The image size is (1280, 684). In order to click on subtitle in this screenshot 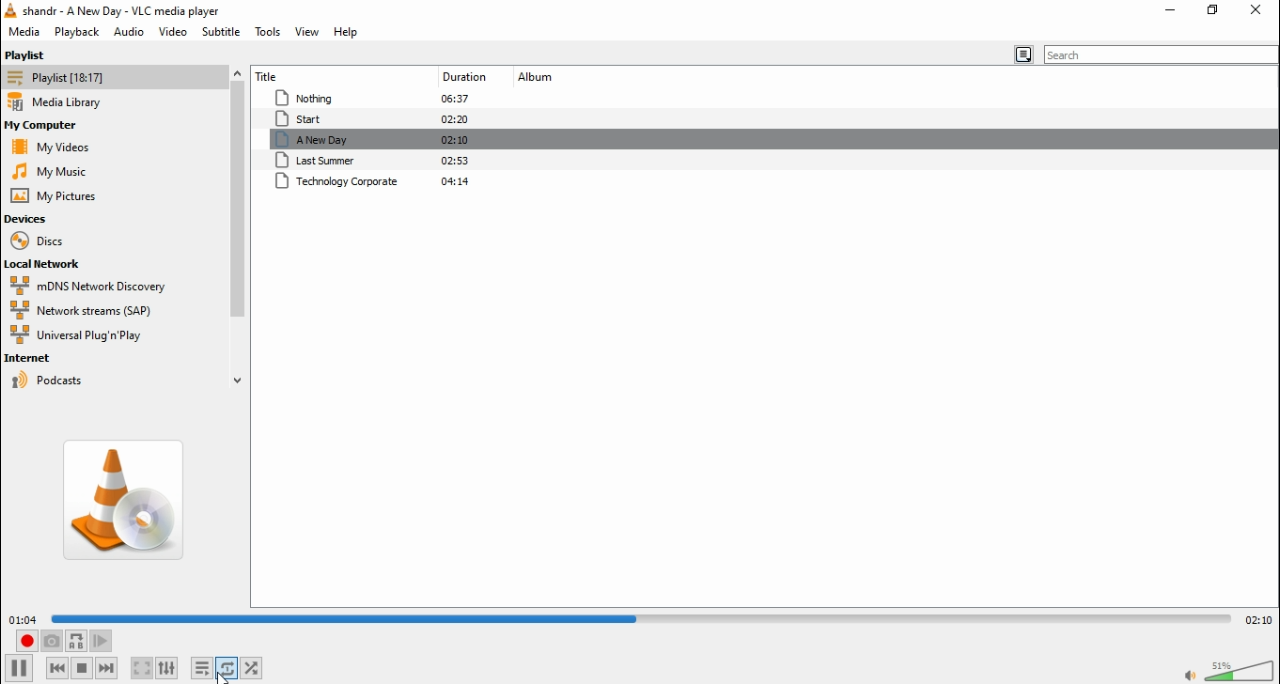, I will do `click(220, 32)`.